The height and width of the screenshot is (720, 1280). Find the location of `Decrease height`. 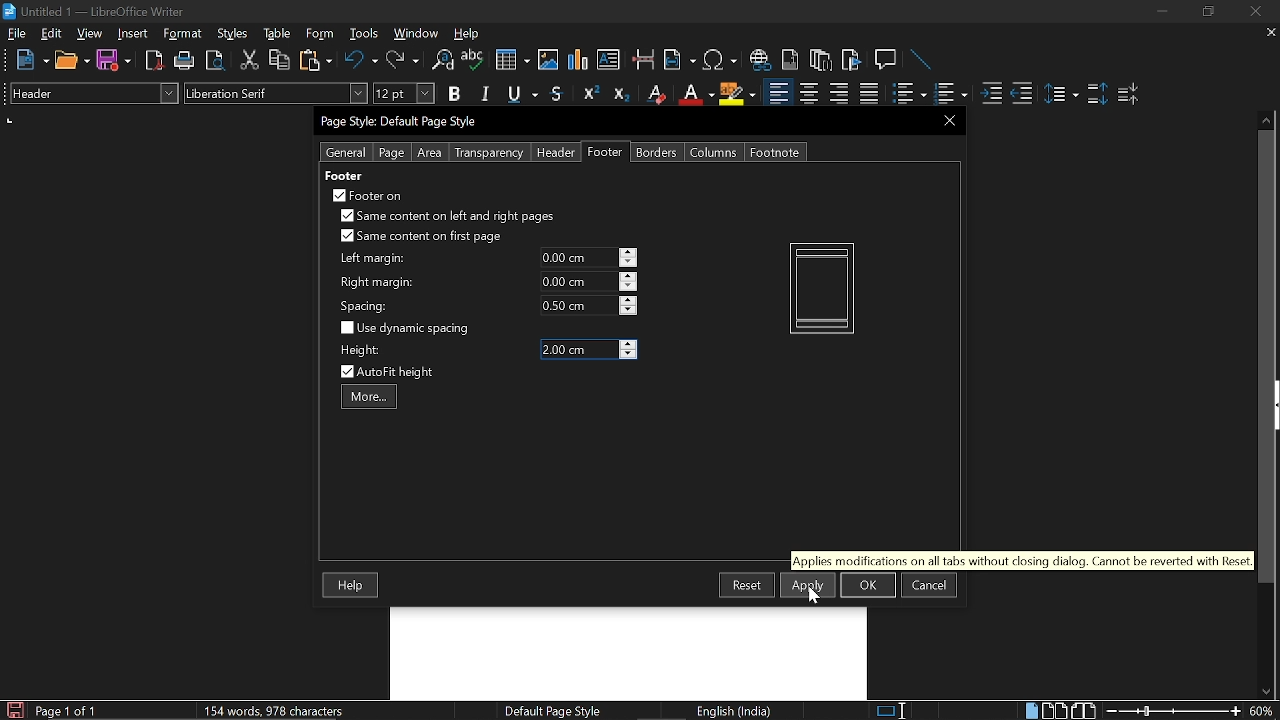

Decrease height is located at coordinates (628, 355).